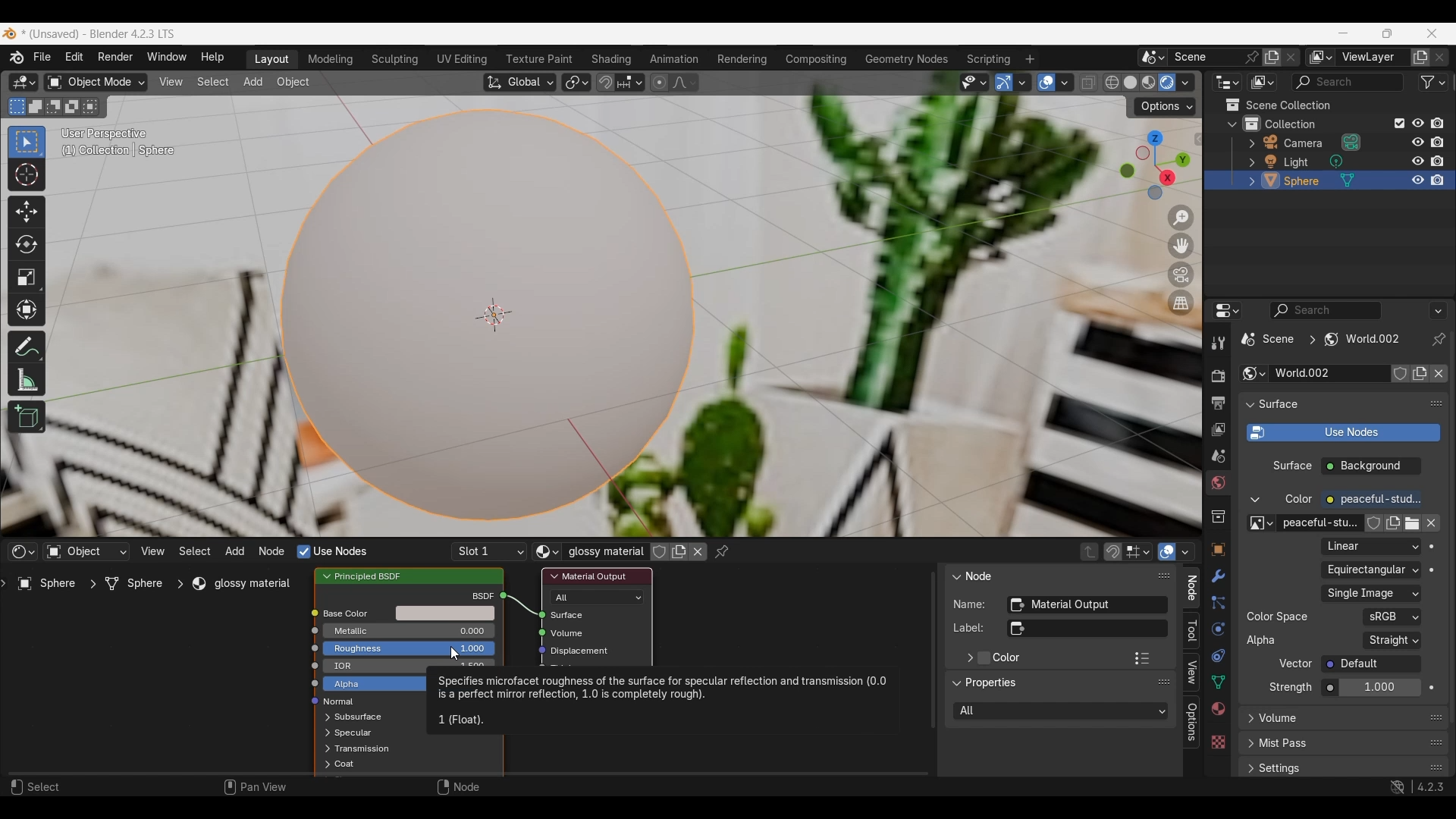 The image size is (1456, 819). I want to click on Zoom in/out, so click(1181, 218).